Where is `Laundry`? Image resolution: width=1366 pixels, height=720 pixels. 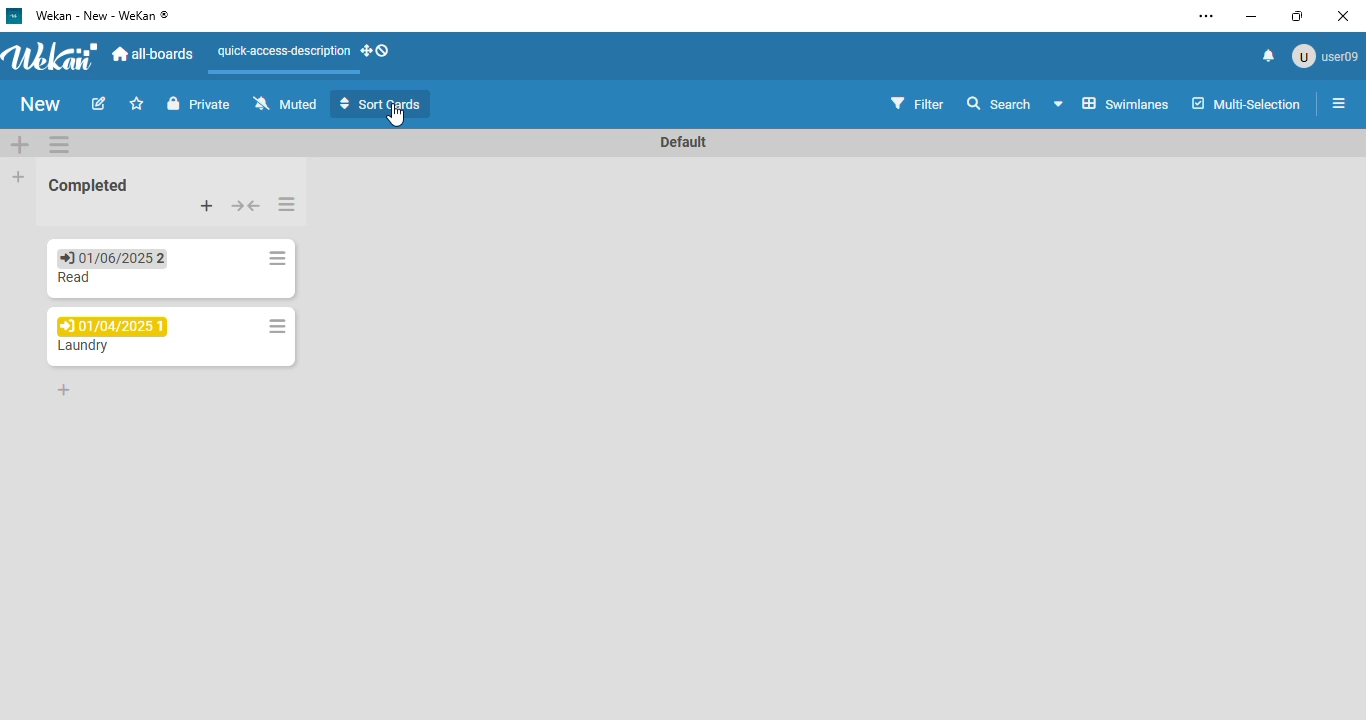
Laundry is located at coordinates (82, 346).